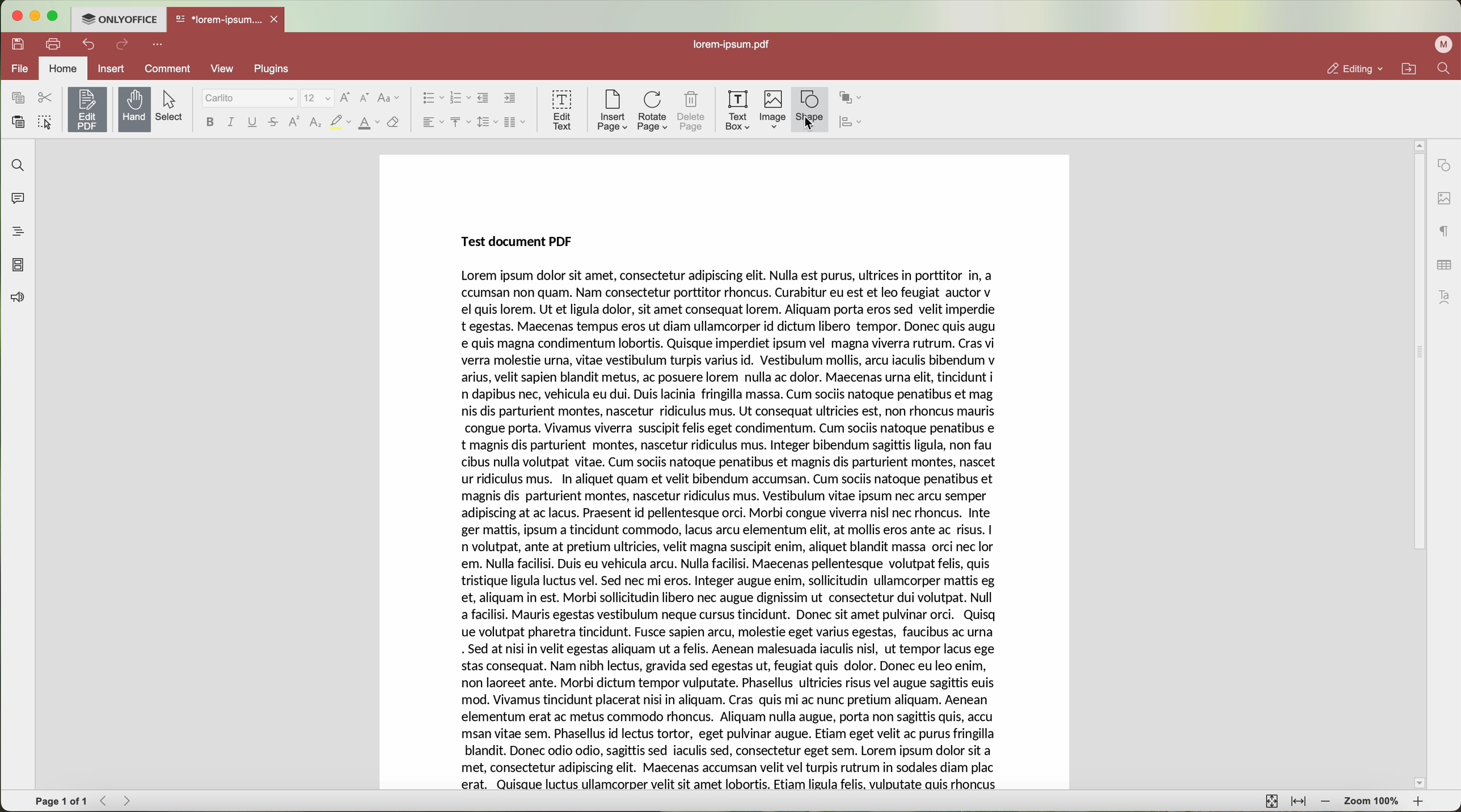  Describe the element at coordinates (516, 122) in the screenshot. I see `insert columns` at that location.